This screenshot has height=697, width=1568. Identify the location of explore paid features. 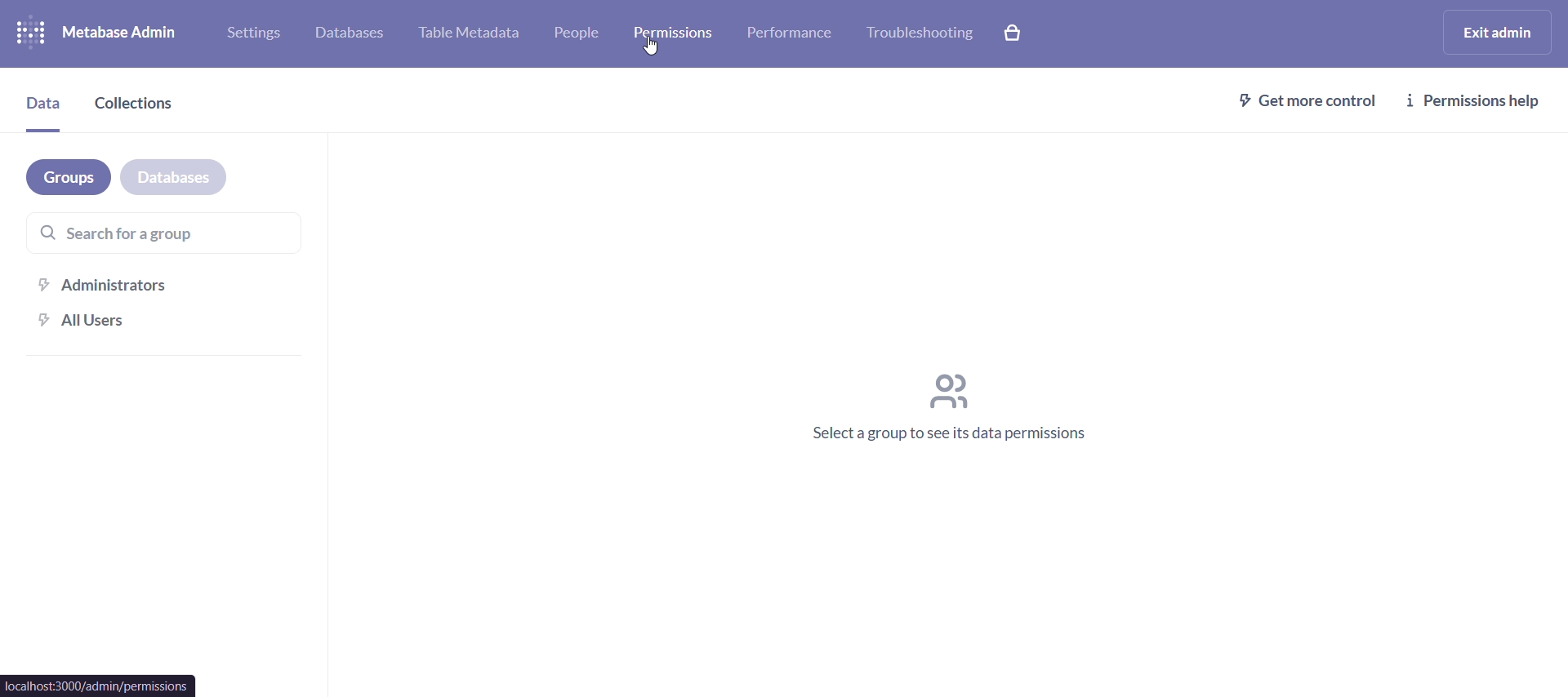
(1014, 35).